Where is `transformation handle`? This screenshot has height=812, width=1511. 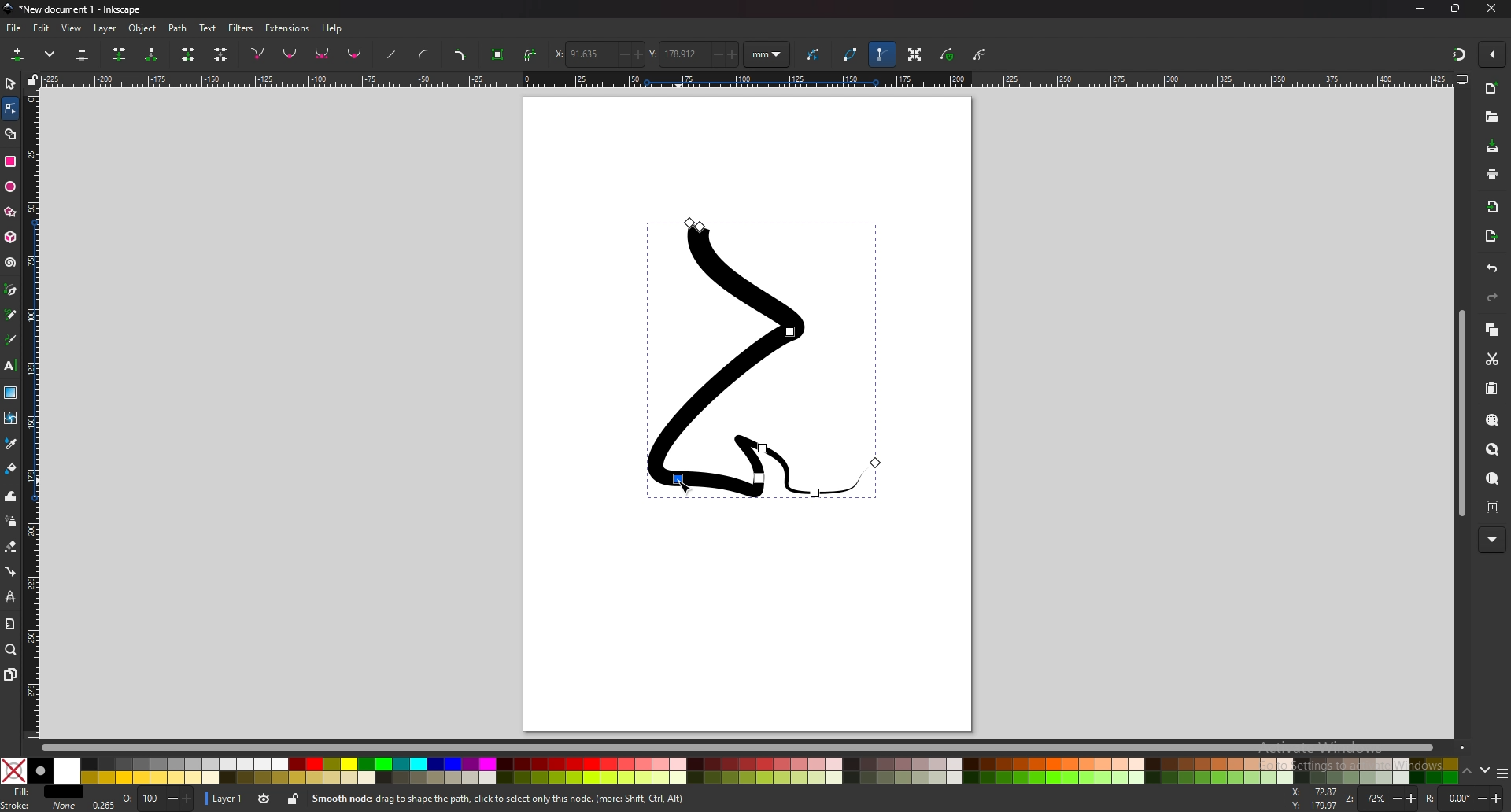 transformation handle is located at coordinates (914, 56).